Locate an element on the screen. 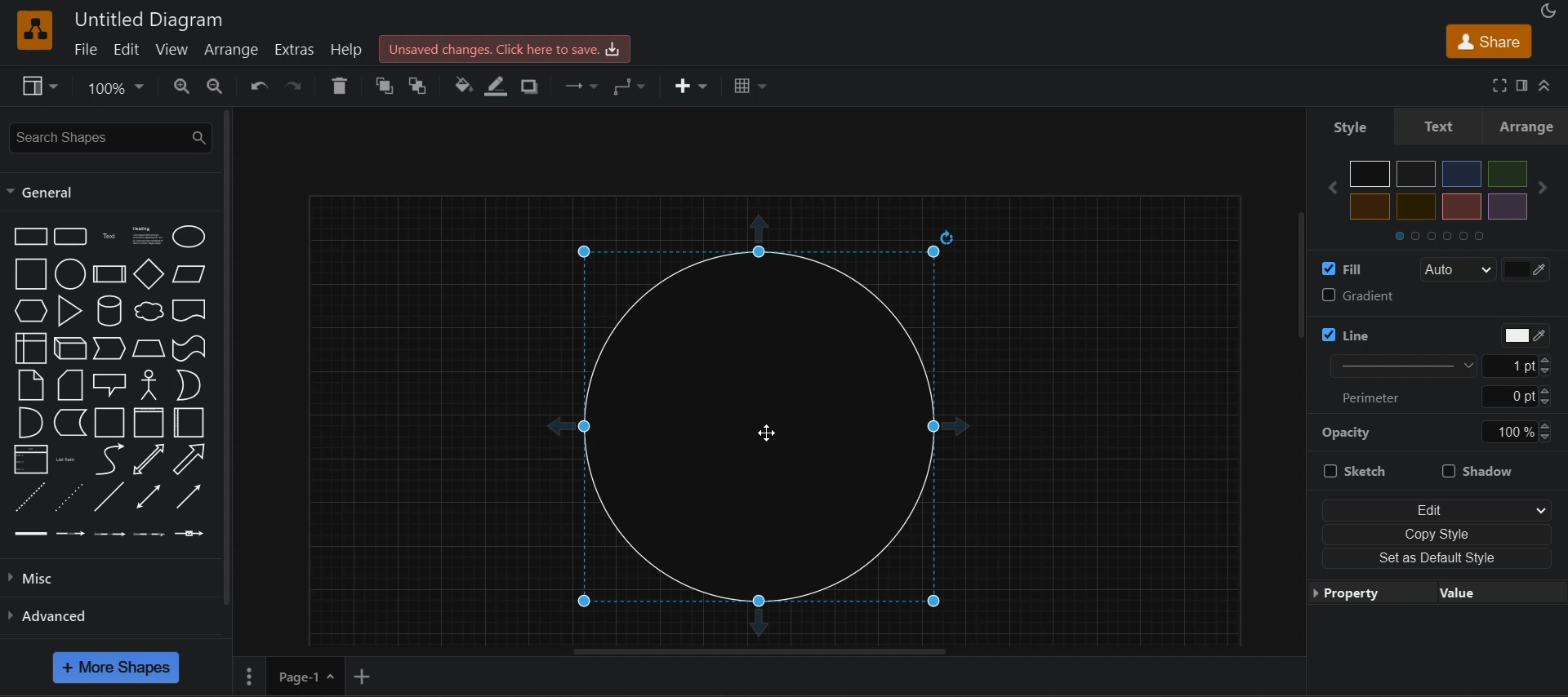  line thickness is located at coordinates (1388, 366).